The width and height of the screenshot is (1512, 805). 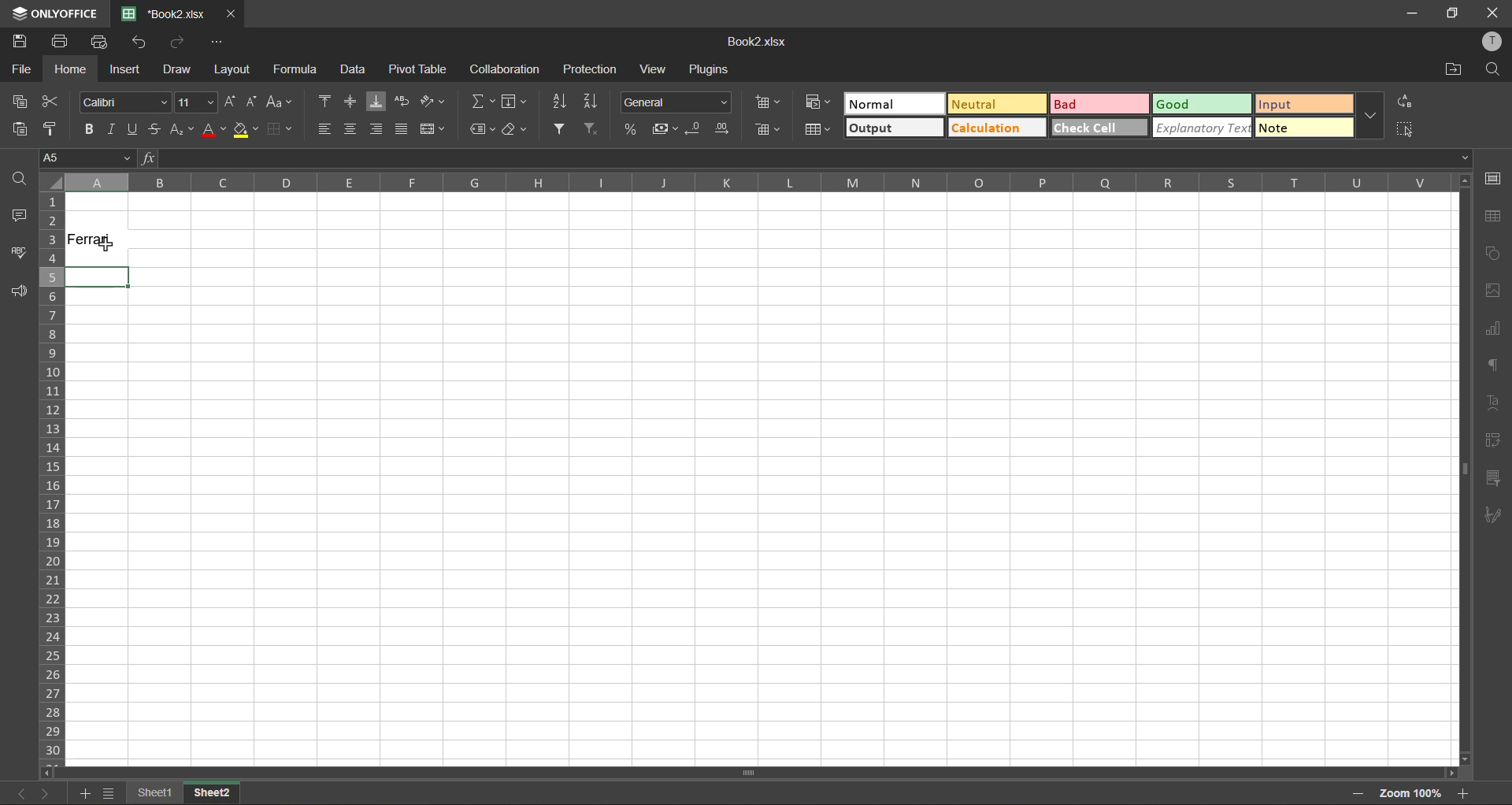 What do you see at coordinates (399, 129) in the screenshot?
I see `justified` at bounding box center [399, 129].